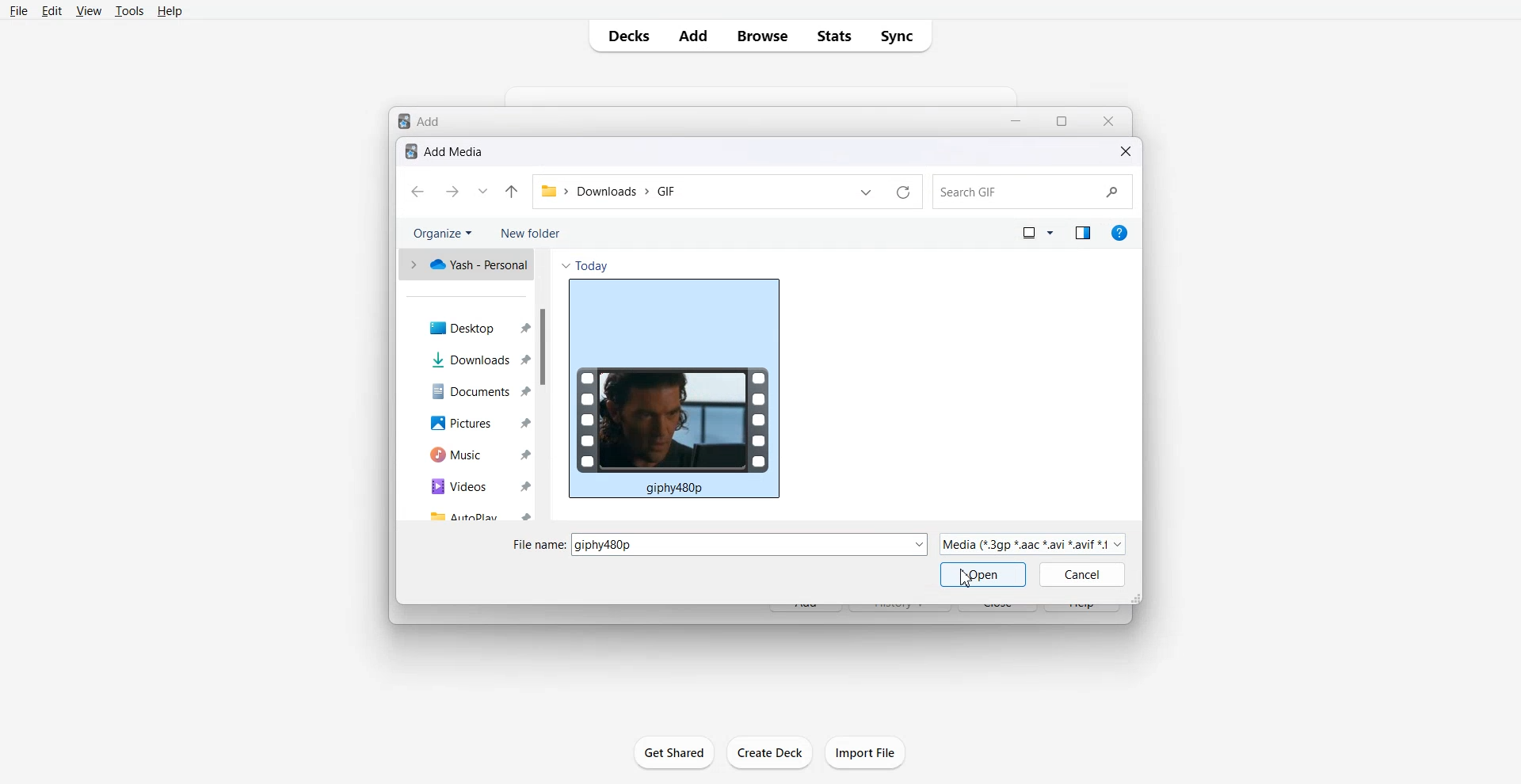 The image size is (1521, 784). I want to click on Edit, so click(52, 11).